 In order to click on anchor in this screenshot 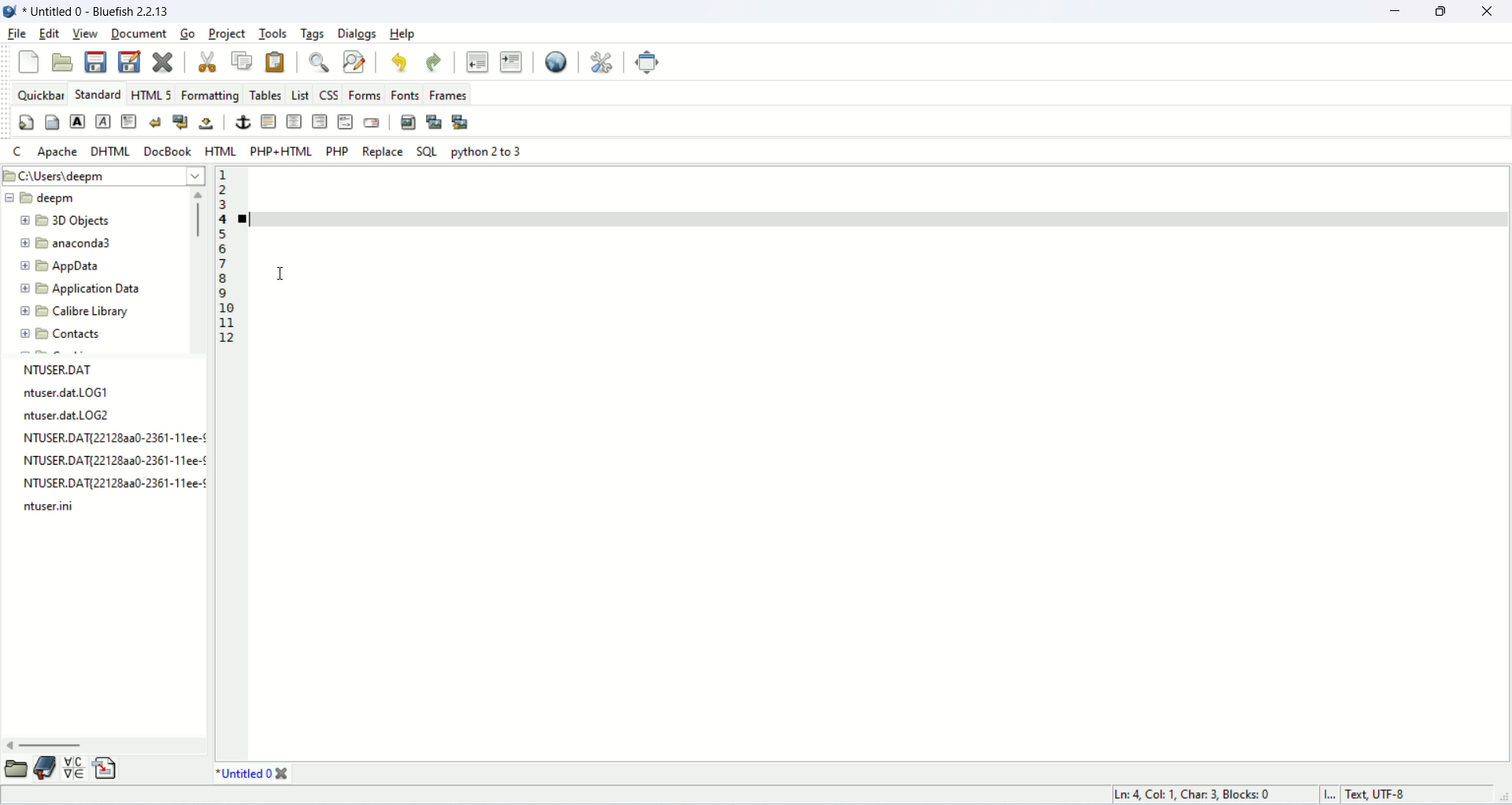, I will do `click(243, 122)`.